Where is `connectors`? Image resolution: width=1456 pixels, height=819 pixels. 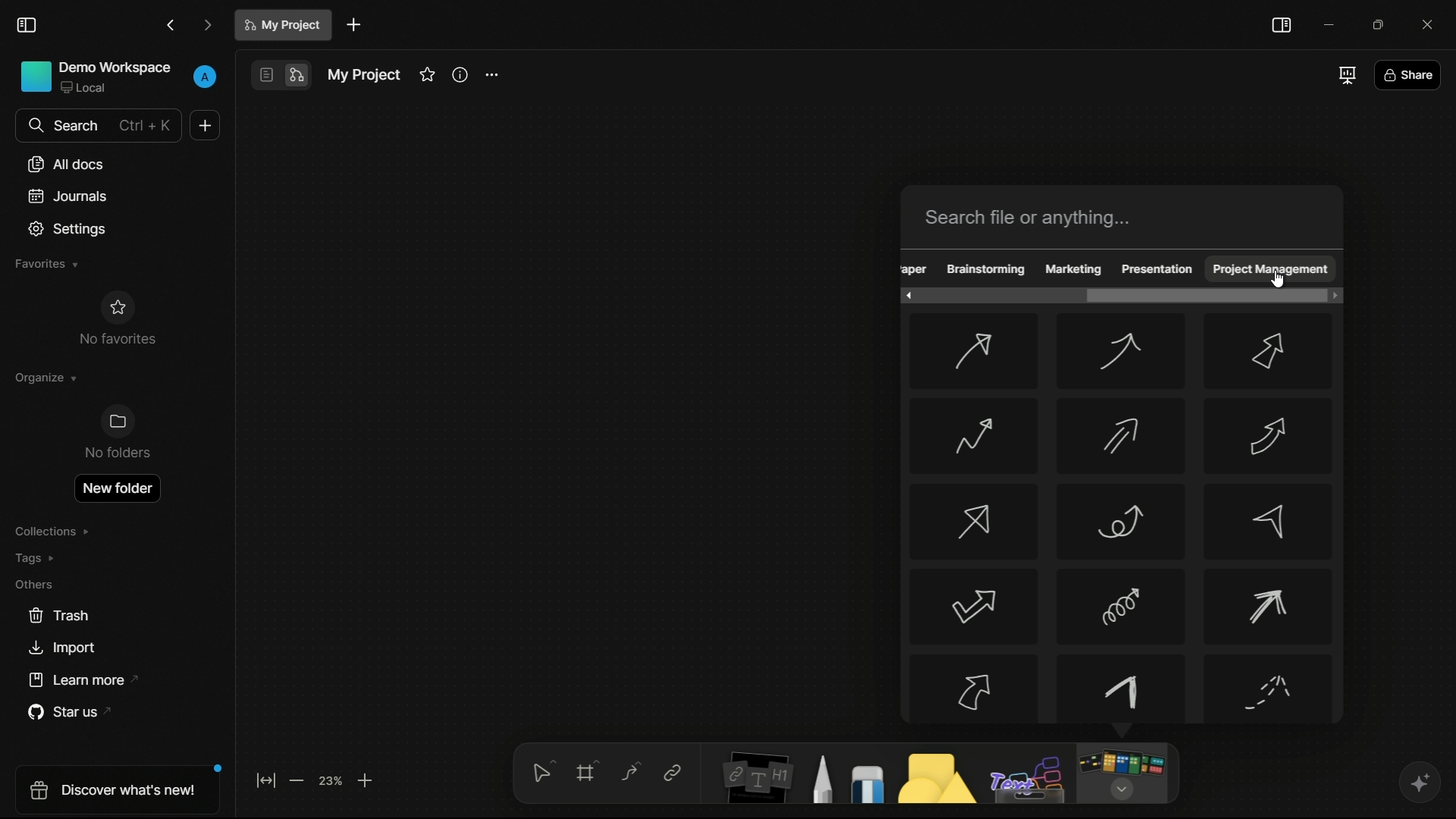 connectors is located at coordinates (630, 773).